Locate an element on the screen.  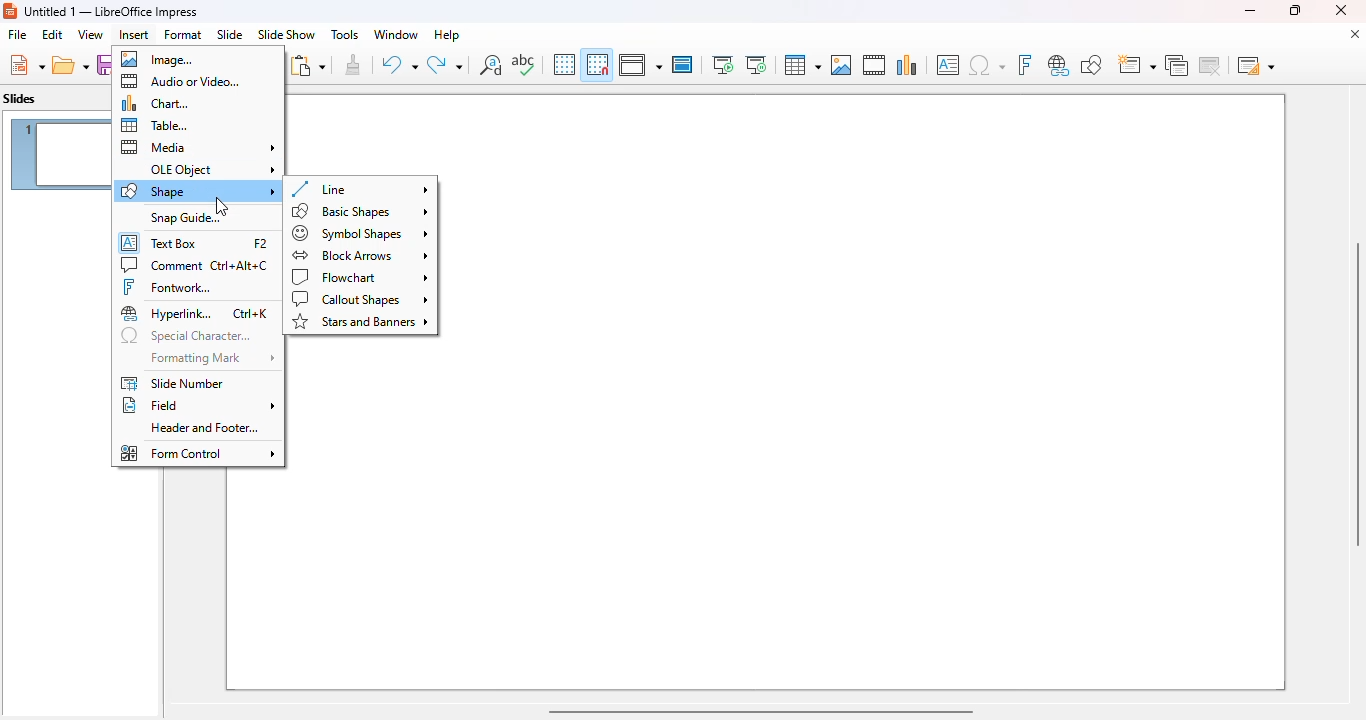
flowchart is located at coordinates (360, 277).